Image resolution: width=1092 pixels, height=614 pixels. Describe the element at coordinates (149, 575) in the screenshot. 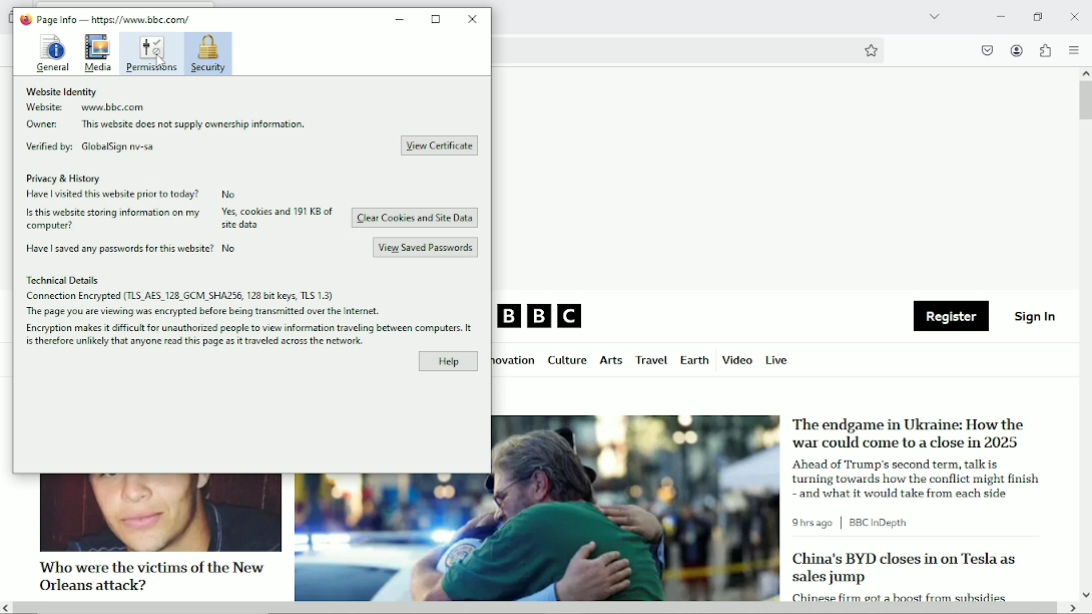

I see `Who were the victims of the New Orleans attack?` at that location.